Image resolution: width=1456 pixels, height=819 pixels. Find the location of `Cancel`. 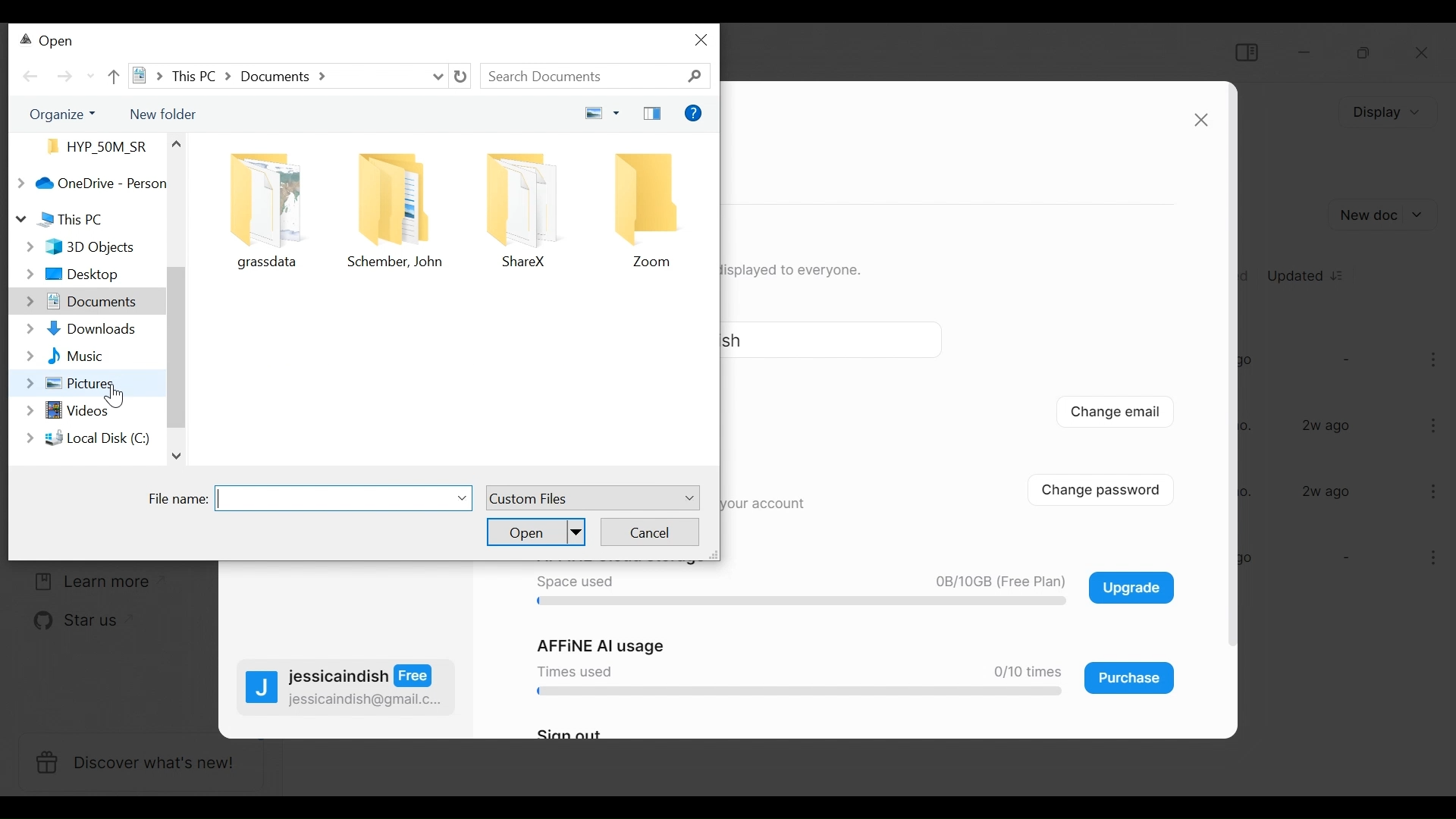

Cancel is located at coordinates (650, 531).